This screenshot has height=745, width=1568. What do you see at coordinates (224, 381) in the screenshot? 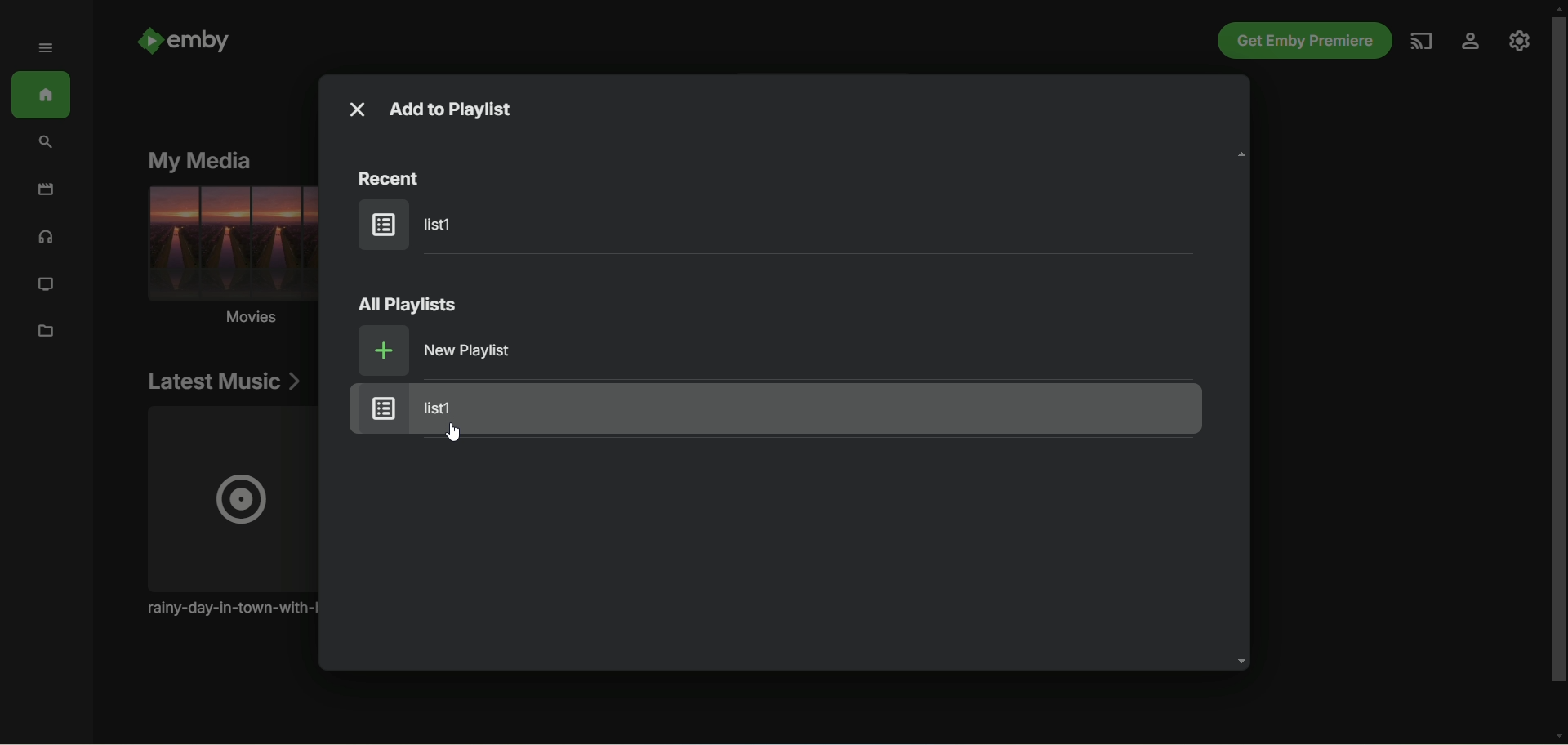
I see `latest music` at bounding box center [224, 381].